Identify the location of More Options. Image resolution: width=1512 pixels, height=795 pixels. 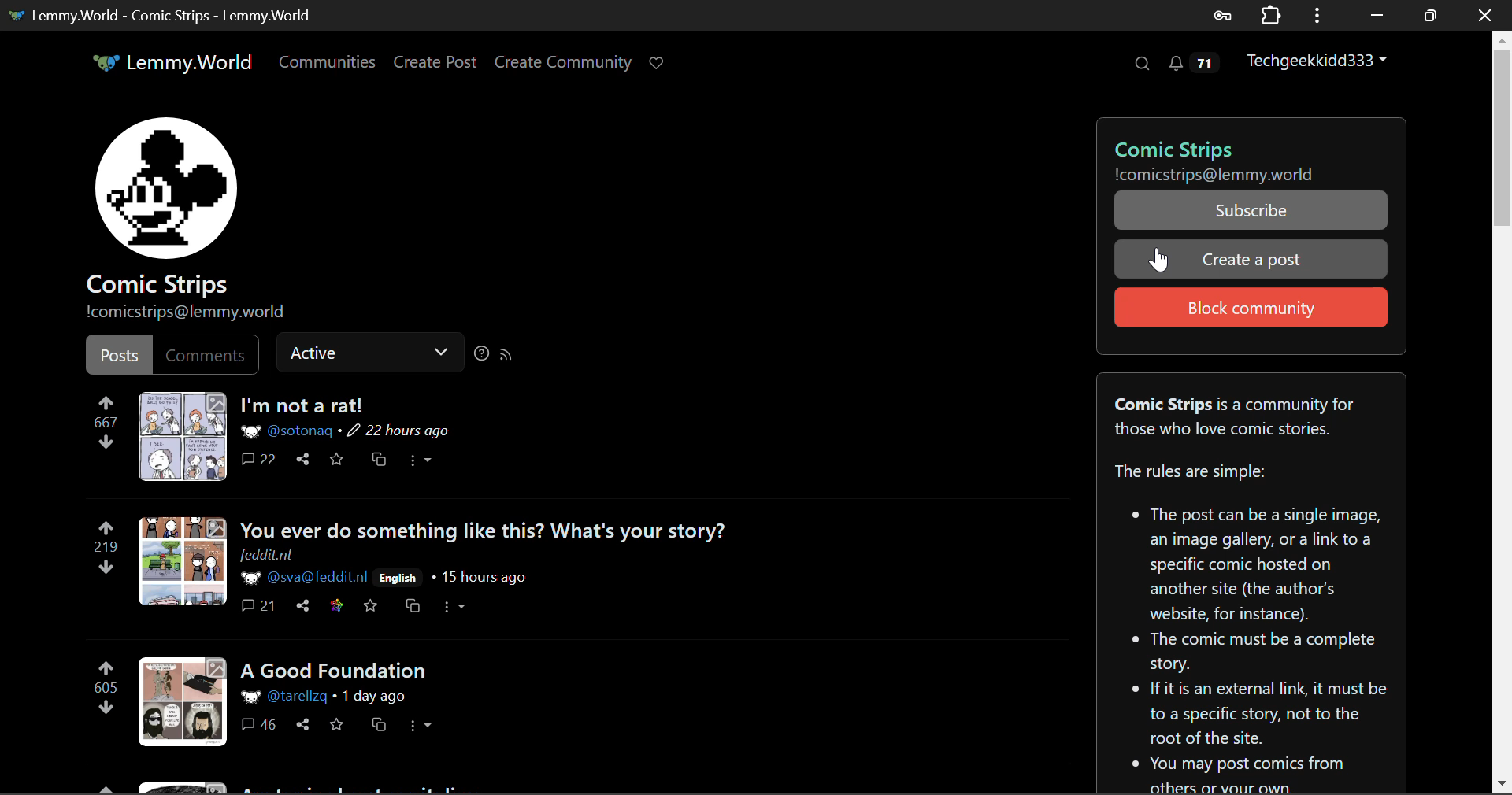
(421, 726).